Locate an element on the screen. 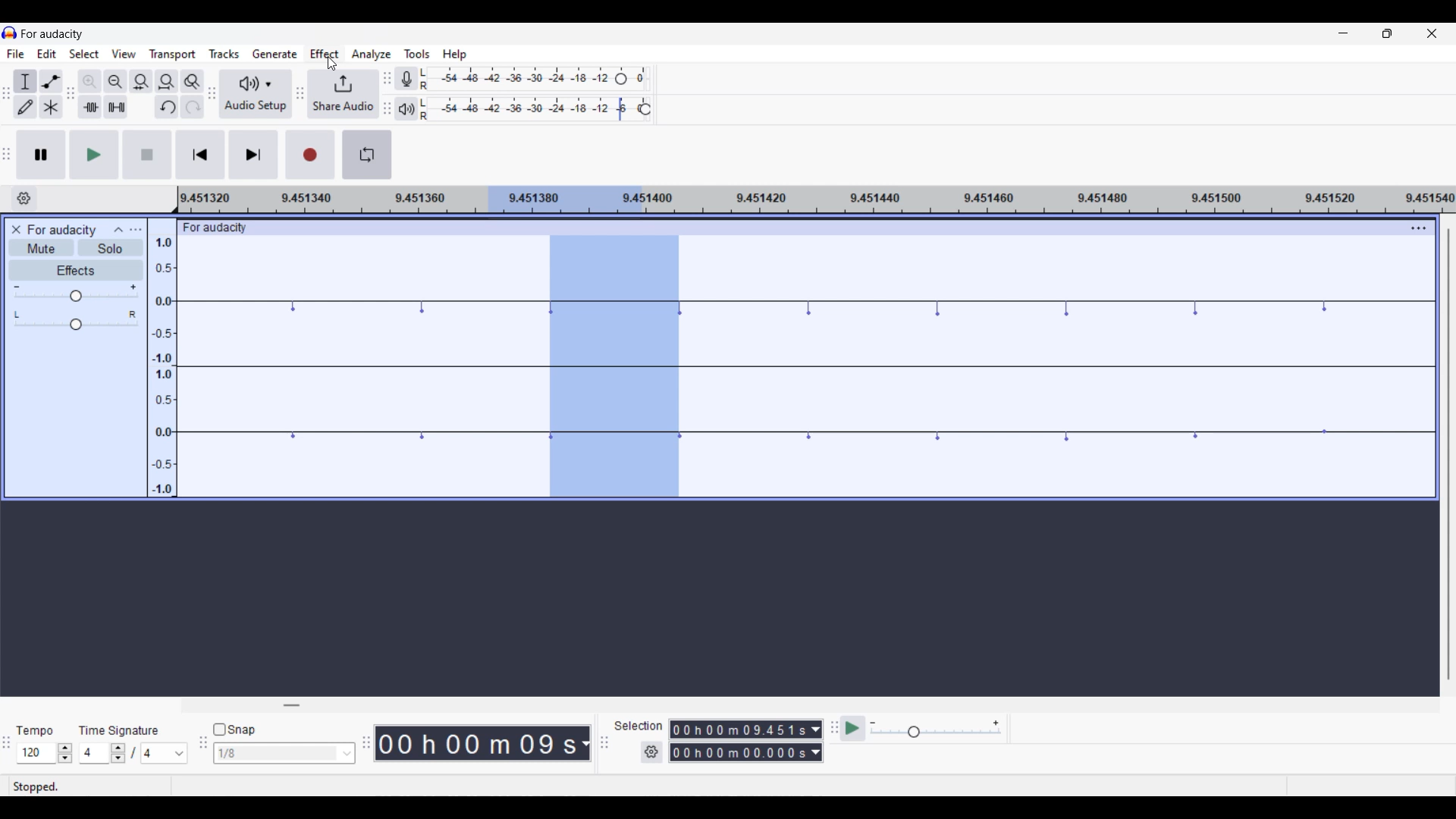  Selection tool bar is located at coordinates (604, 743).